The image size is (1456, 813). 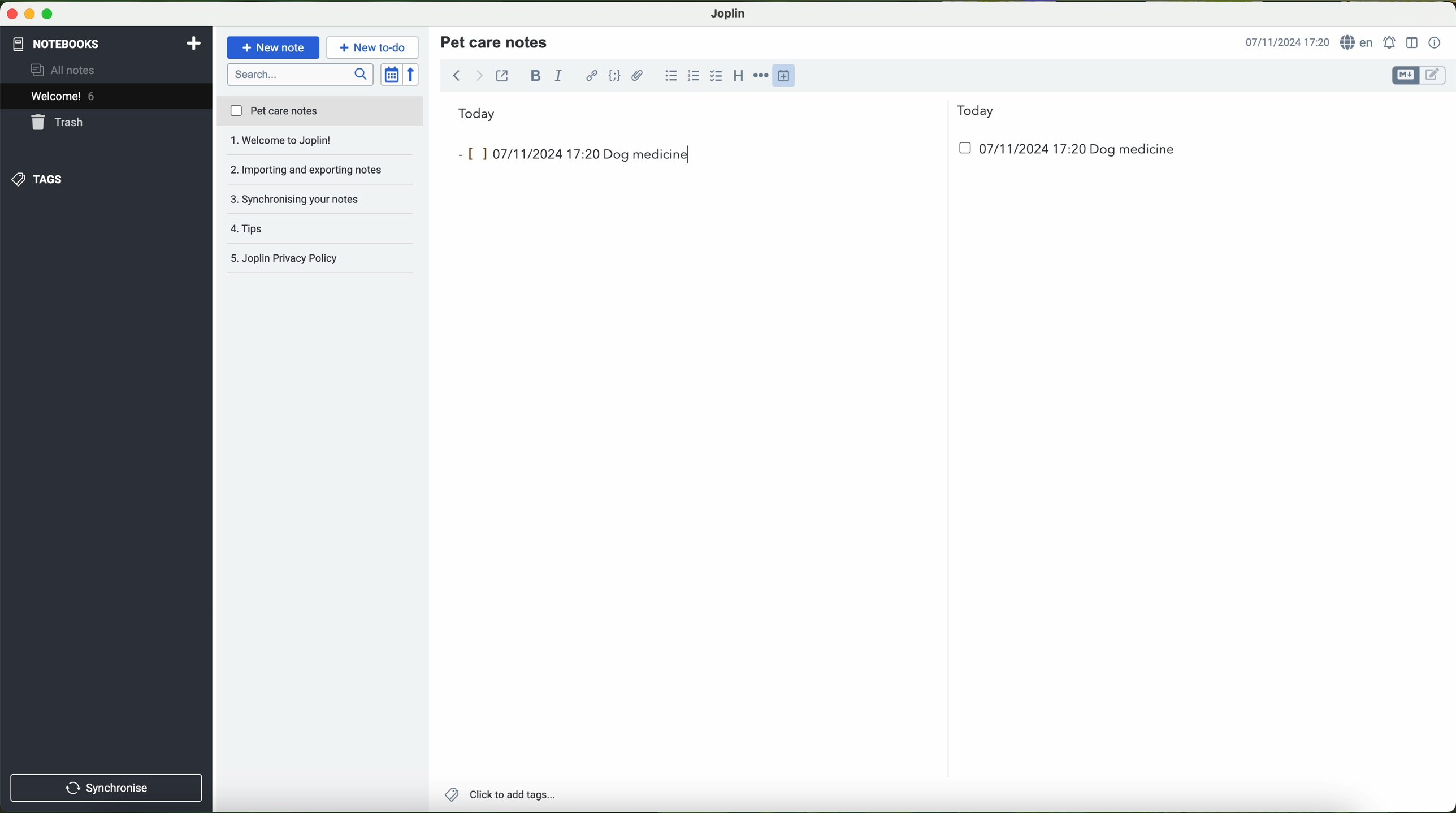 I want to click on numbered list, so click(x=692, y=76).